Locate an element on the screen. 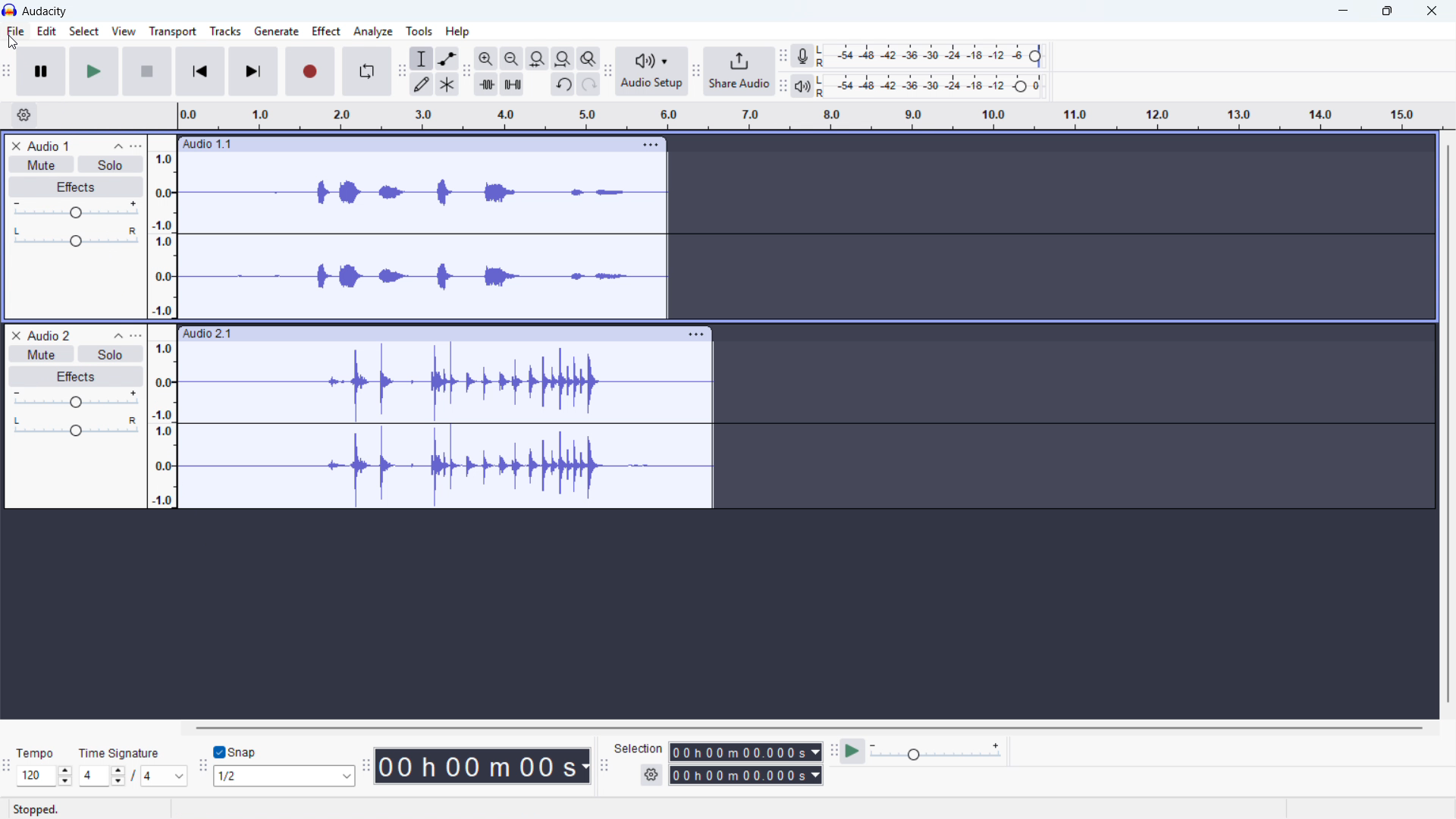 This screenshot has width=1456, height=819. Pan: centre is located at coordinates (77, 428).